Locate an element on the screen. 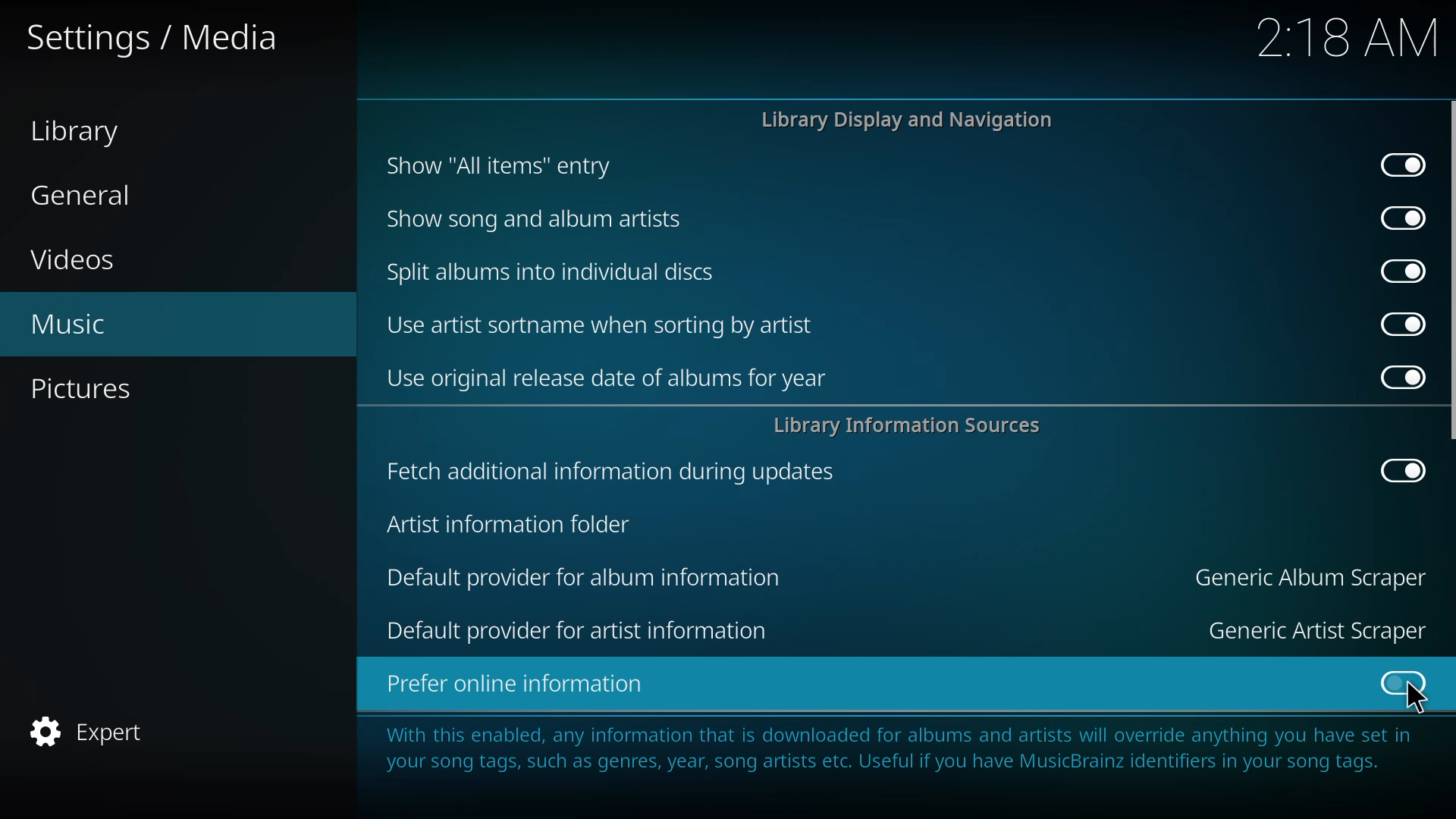 The image size is (1456, 819). enabled is located at coordinates (1394, 375).